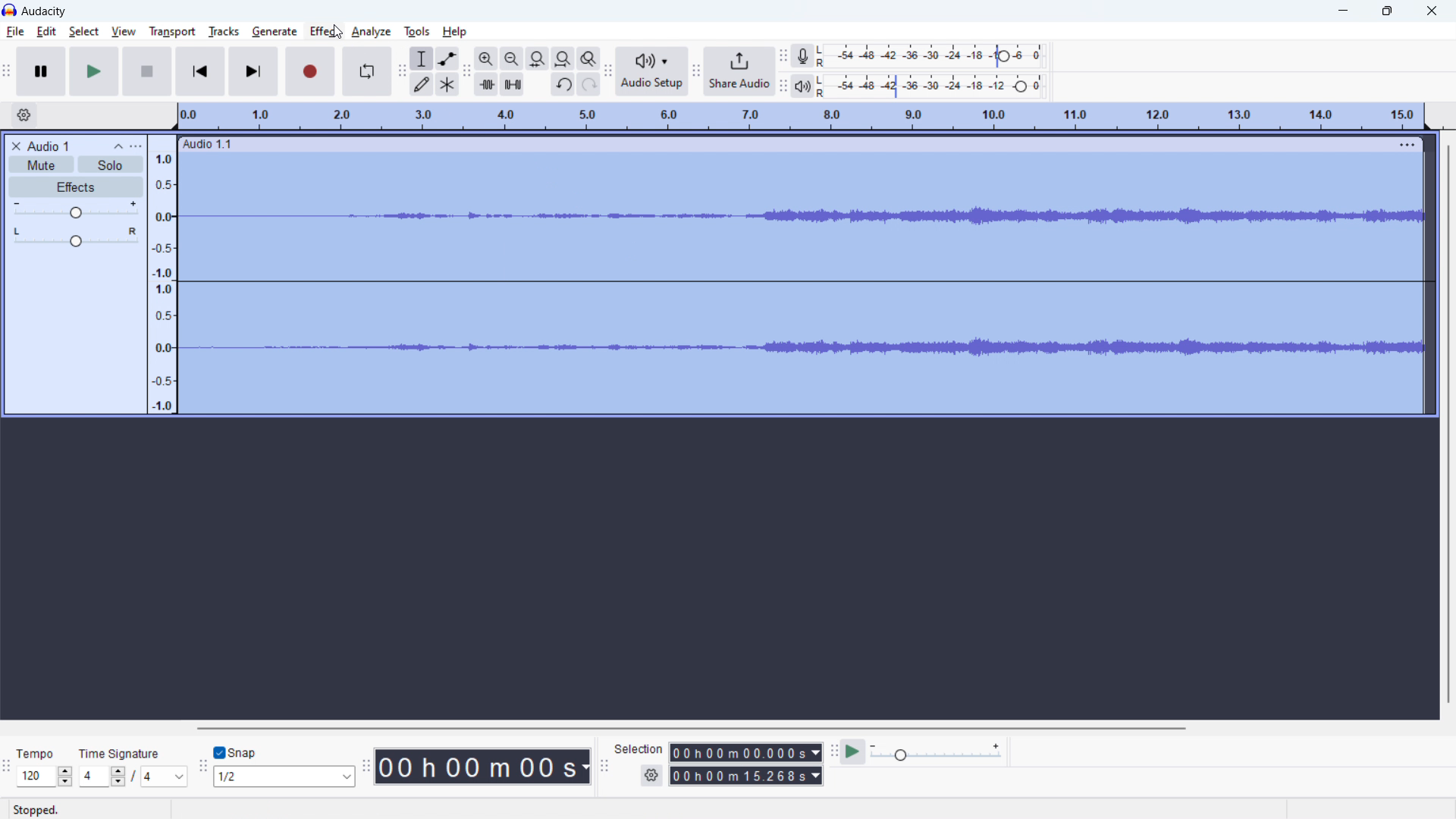 The image size is (1456, 819). Describe the element at coordinates (1407, 144) in the screenshot. I see `menu` at that location.